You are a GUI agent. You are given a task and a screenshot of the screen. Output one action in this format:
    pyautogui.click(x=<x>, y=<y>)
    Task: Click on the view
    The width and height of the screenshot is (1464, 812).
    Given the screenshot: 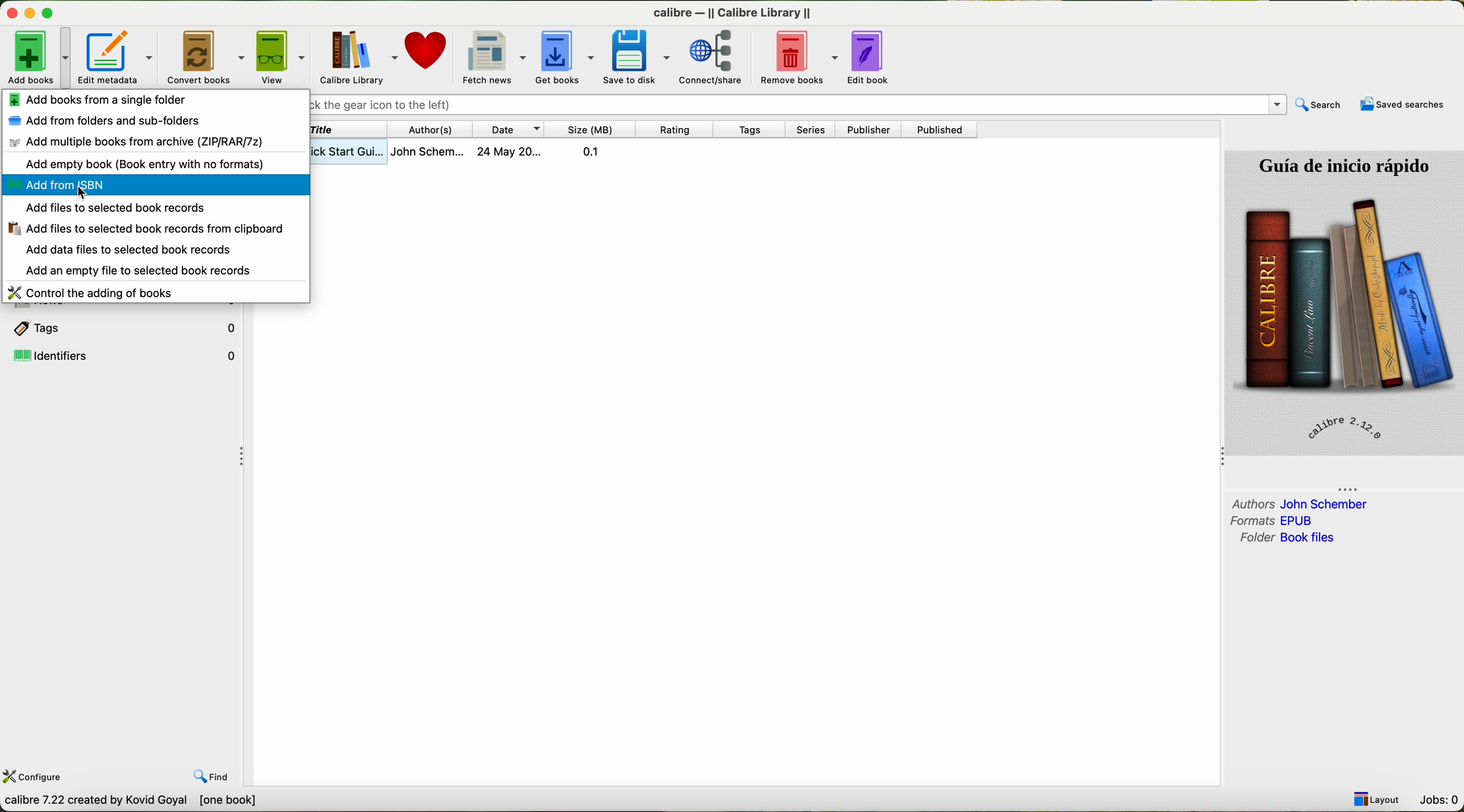 What is the action you would take?
    pyautogui.click(x=285, y=56)
    